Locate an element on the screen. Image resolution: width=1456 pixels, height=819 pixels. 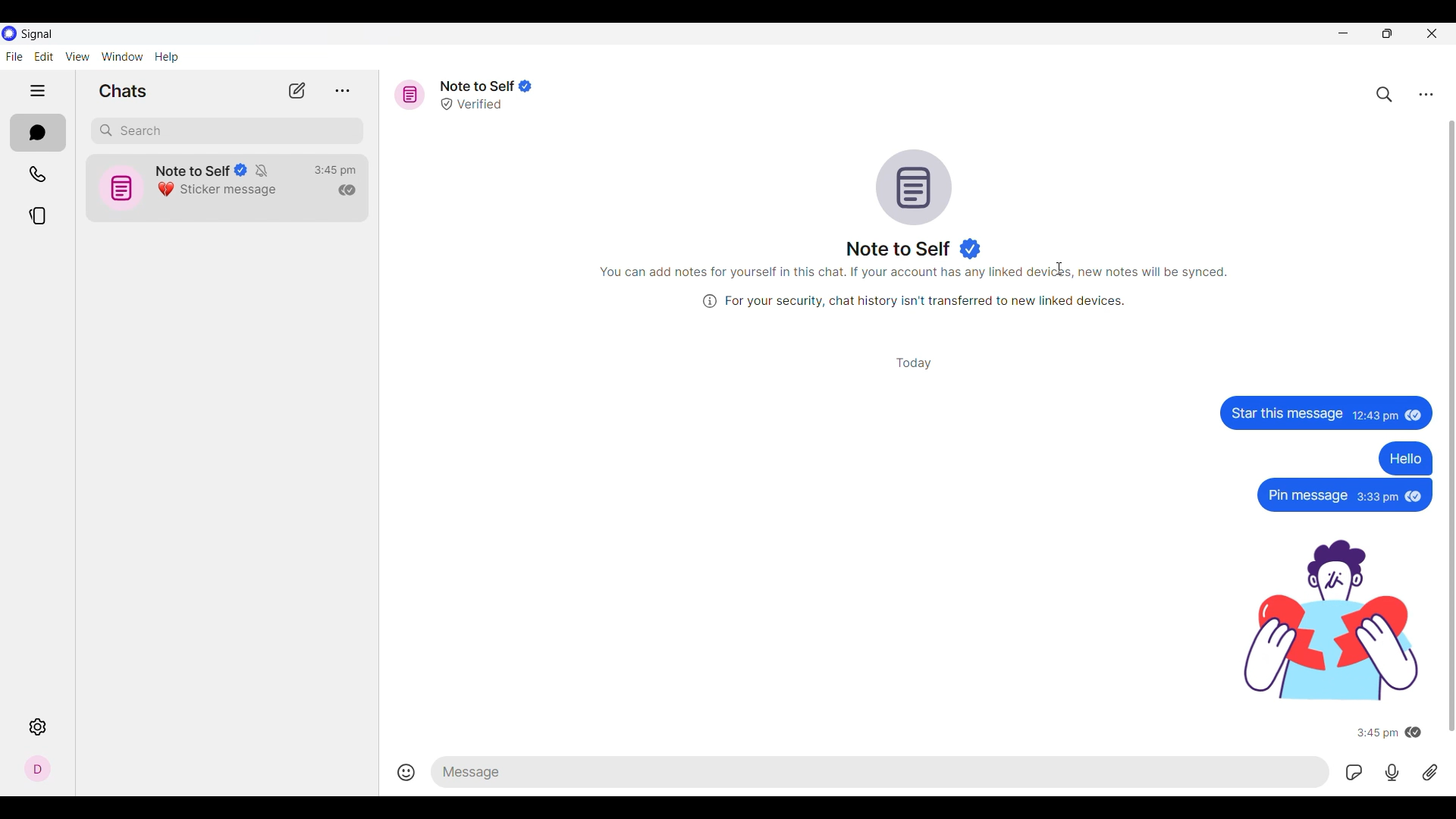
Window menu is located at coordinates (122, 57).